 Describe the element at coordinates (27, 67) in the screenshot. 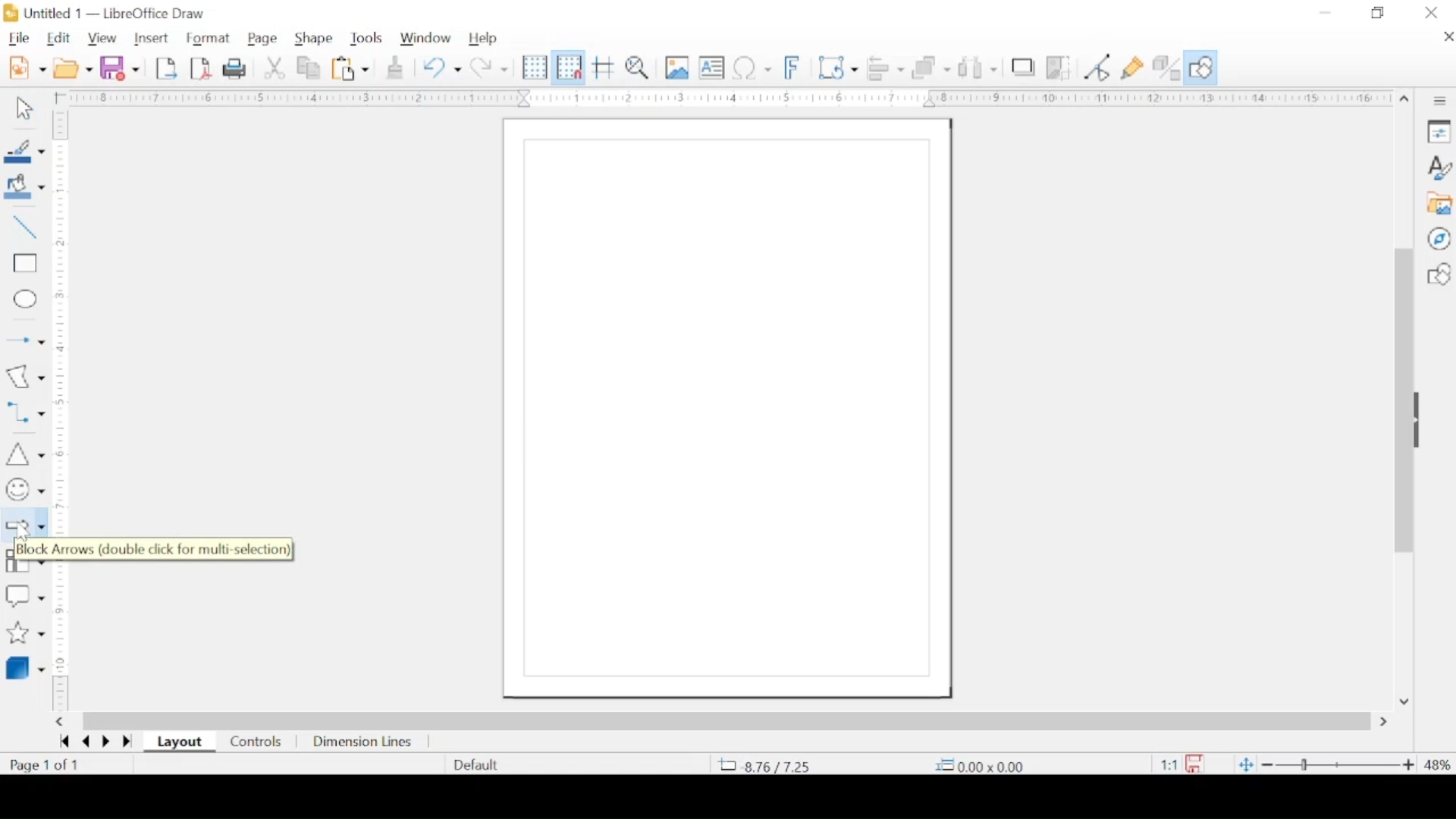

I see `new` at that location.